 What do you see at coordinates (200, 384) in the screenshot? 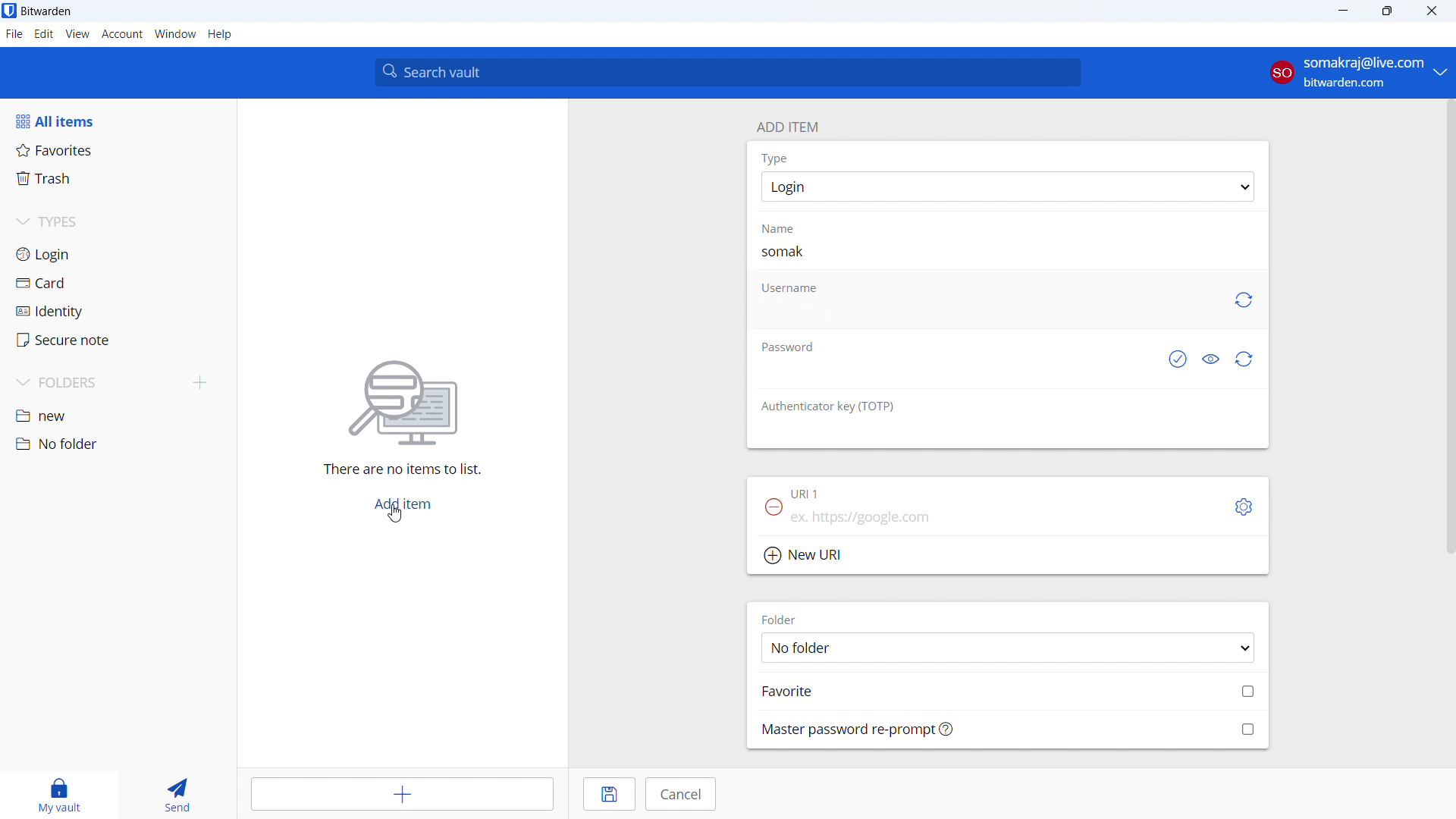
I see `add folder` at bounding box center [200, 384].